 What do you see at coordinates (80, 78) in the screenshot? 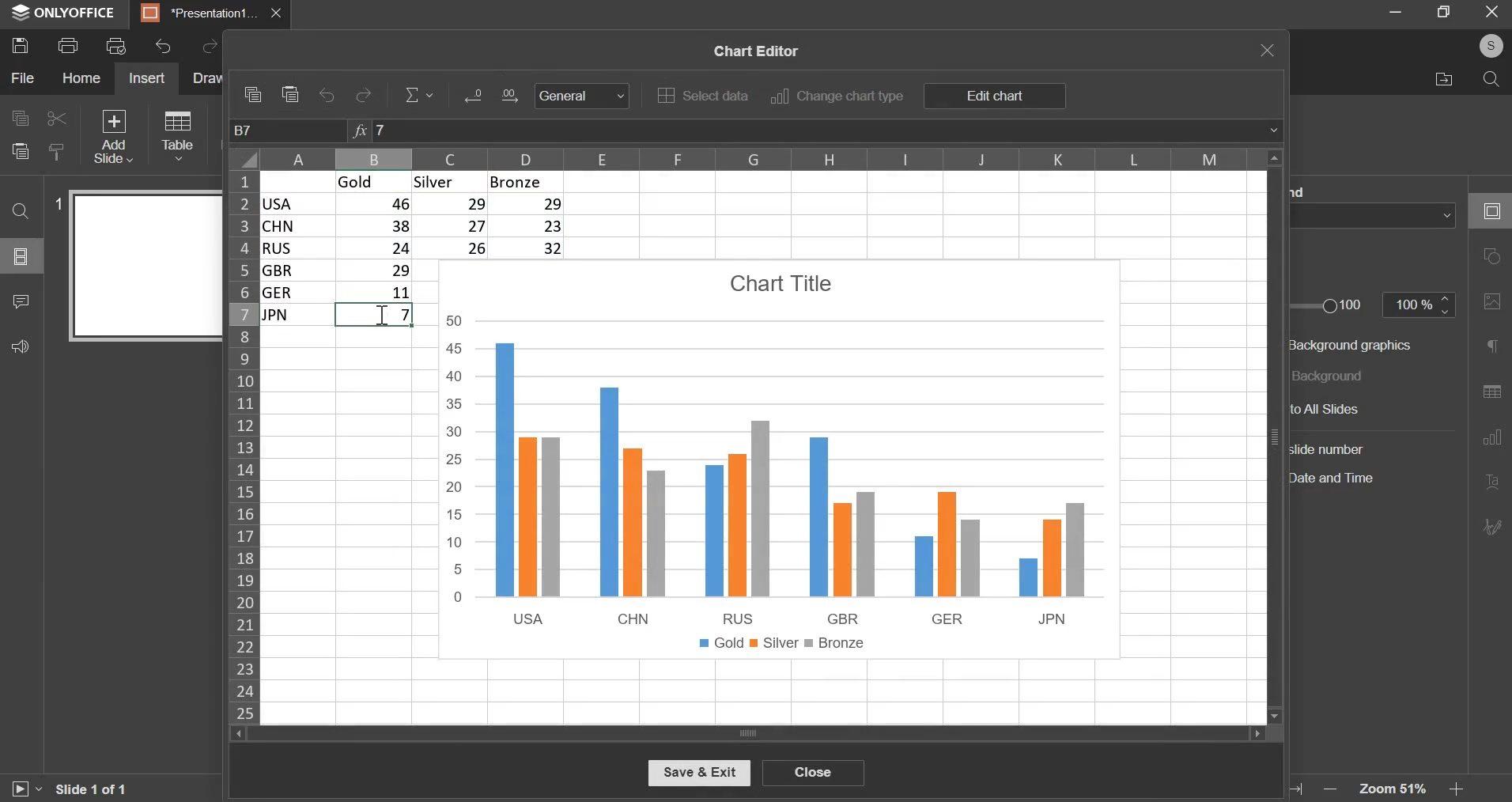
I see `home` at bounding box center [80, 78].